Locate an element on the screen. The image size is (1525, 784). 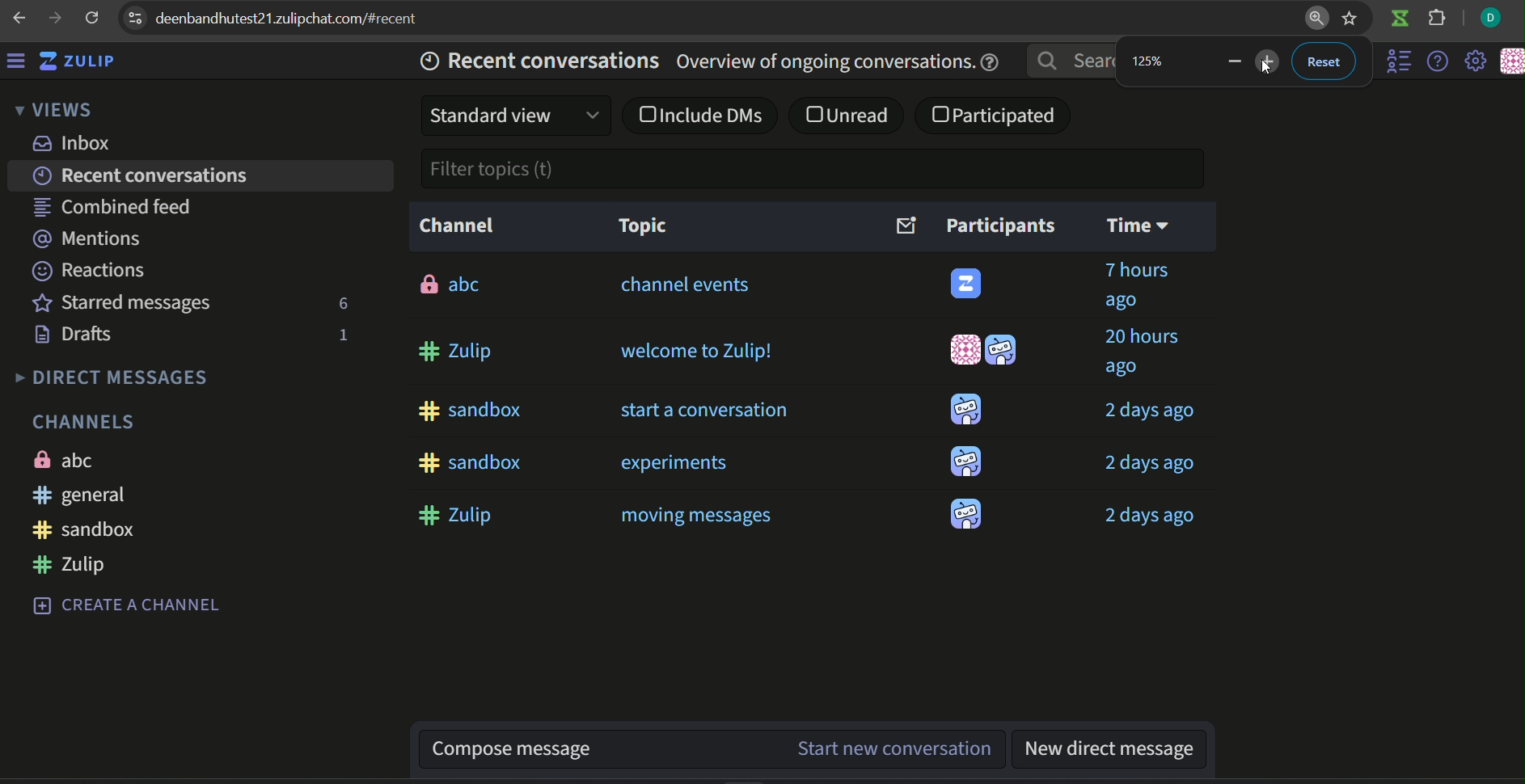
cursor is located at coordinates (1269, 65).